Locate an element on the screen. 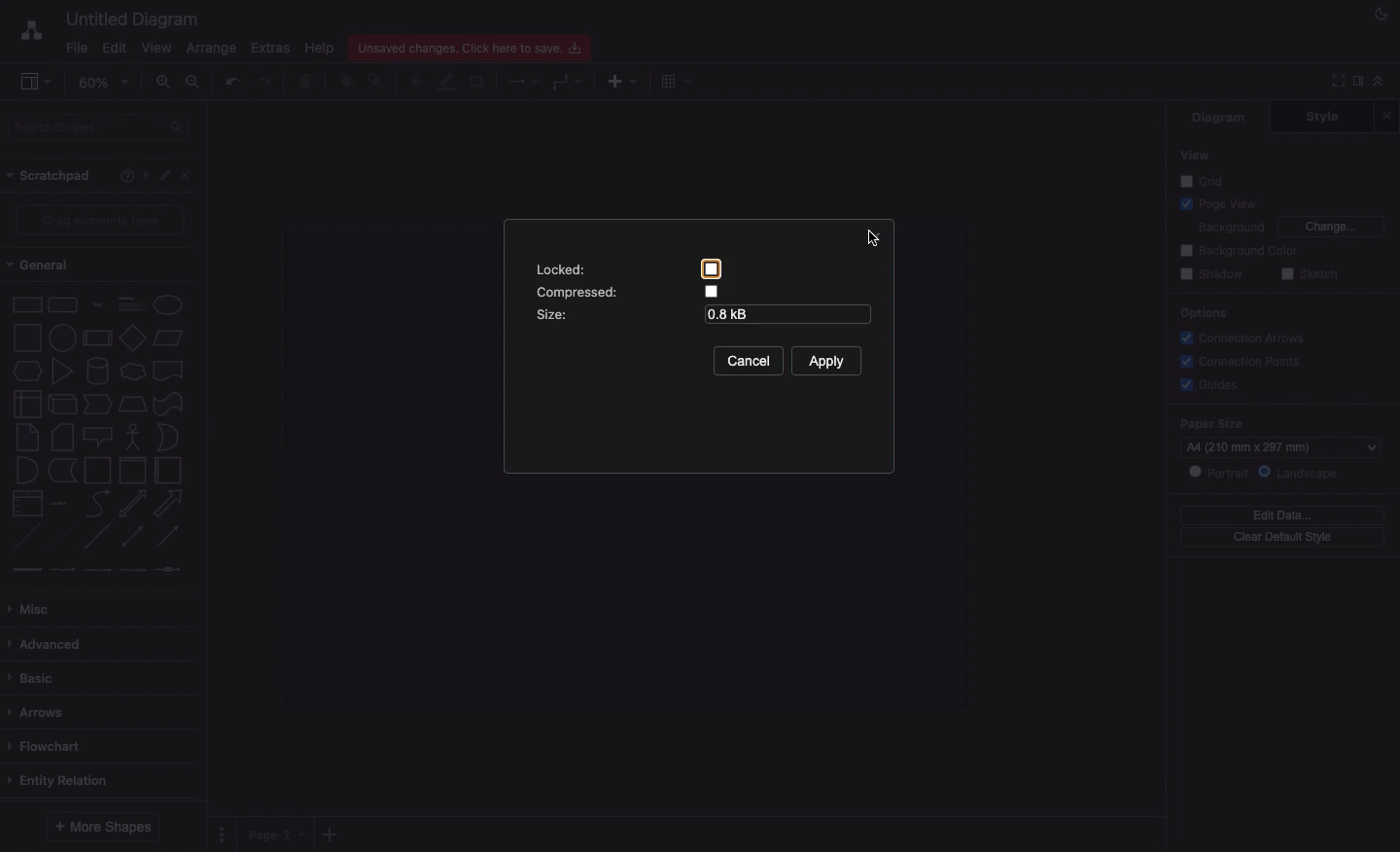 This screenshot has width=1400, height=852. A4 (210 mm x 297 mm) is located at coordinates (1284, 445).